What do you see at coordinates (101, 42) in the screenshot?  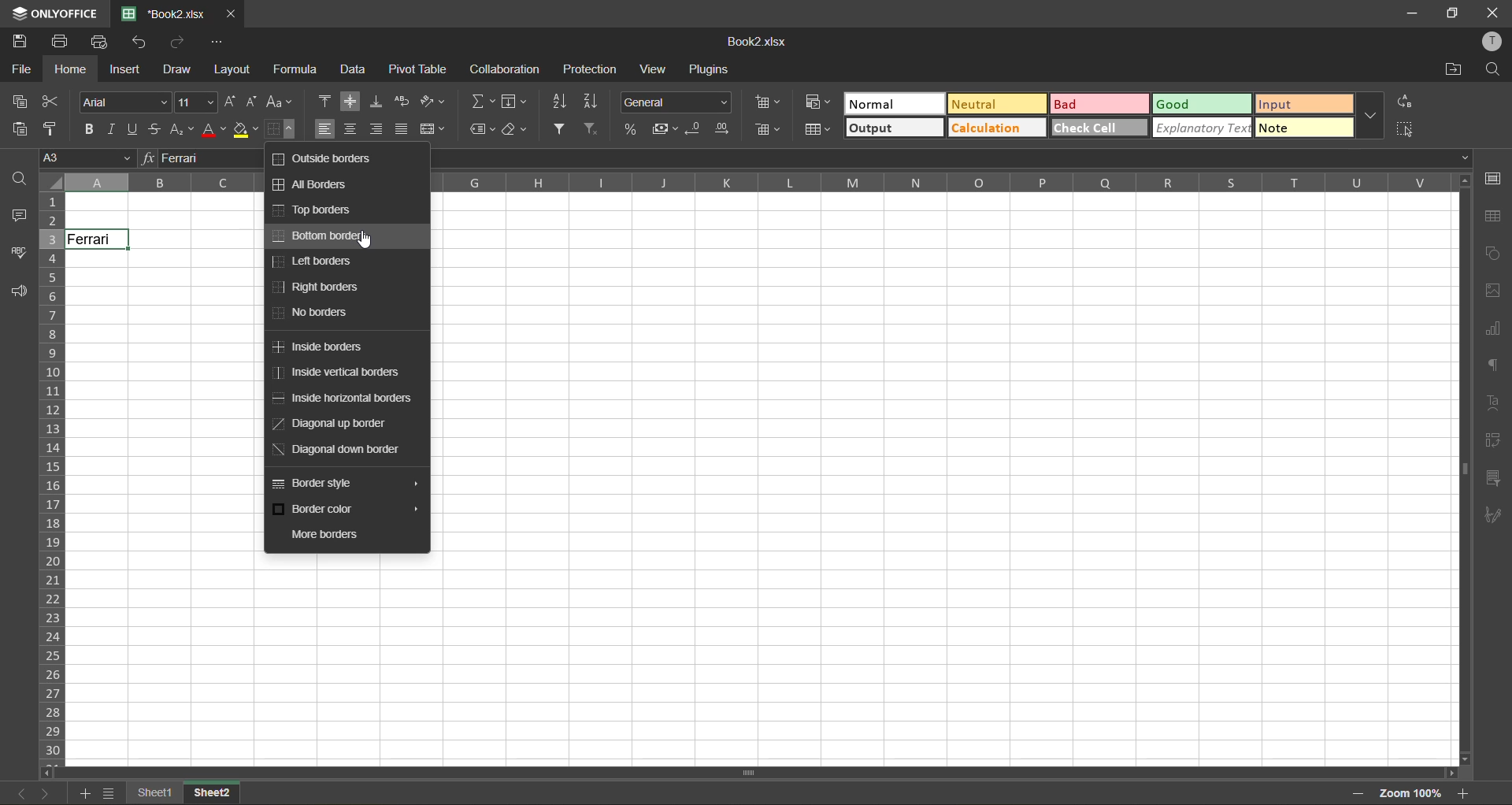 I see `quick print` at bounding box center [101, 42].